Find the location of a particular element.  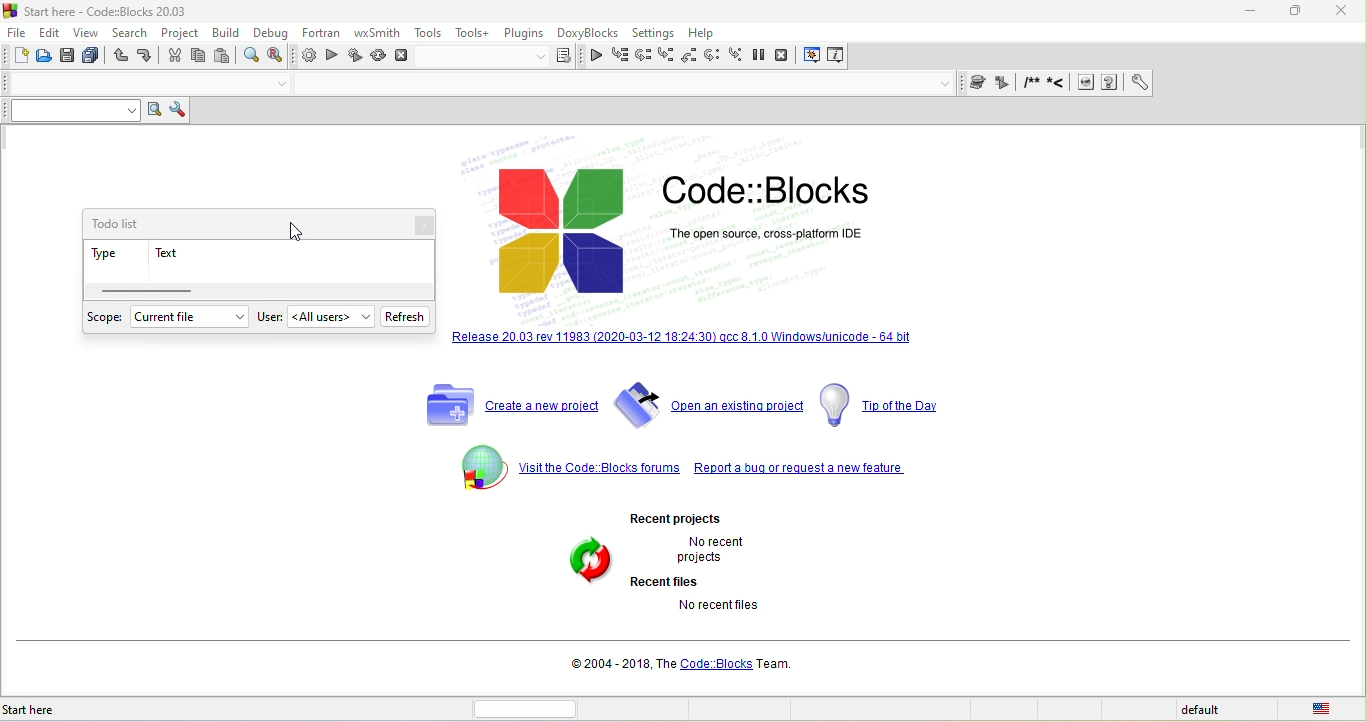

edit is located at coordinates (53, 32).